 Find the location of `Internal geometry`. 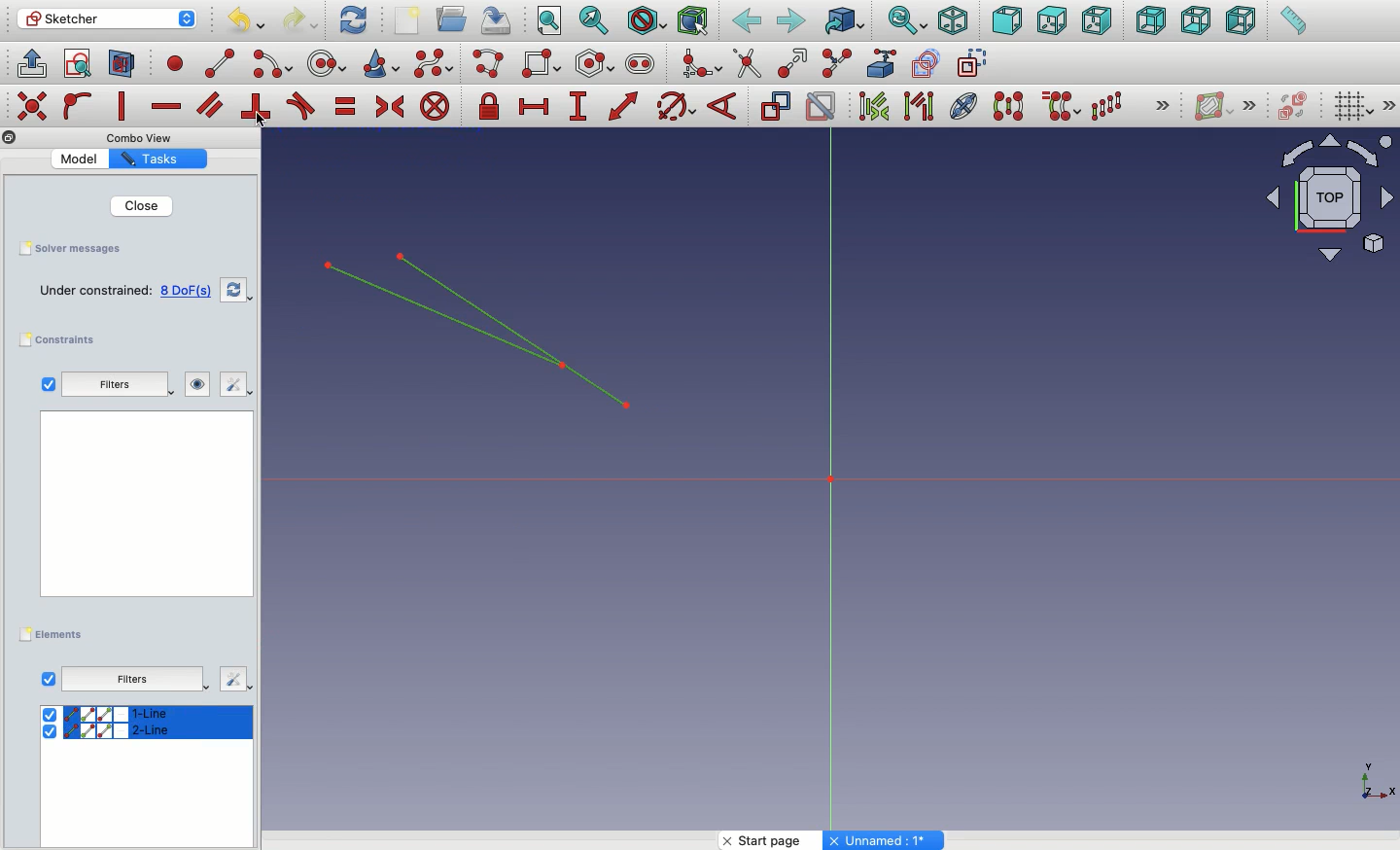

Internal geometry is located at coordinates (965, 105).